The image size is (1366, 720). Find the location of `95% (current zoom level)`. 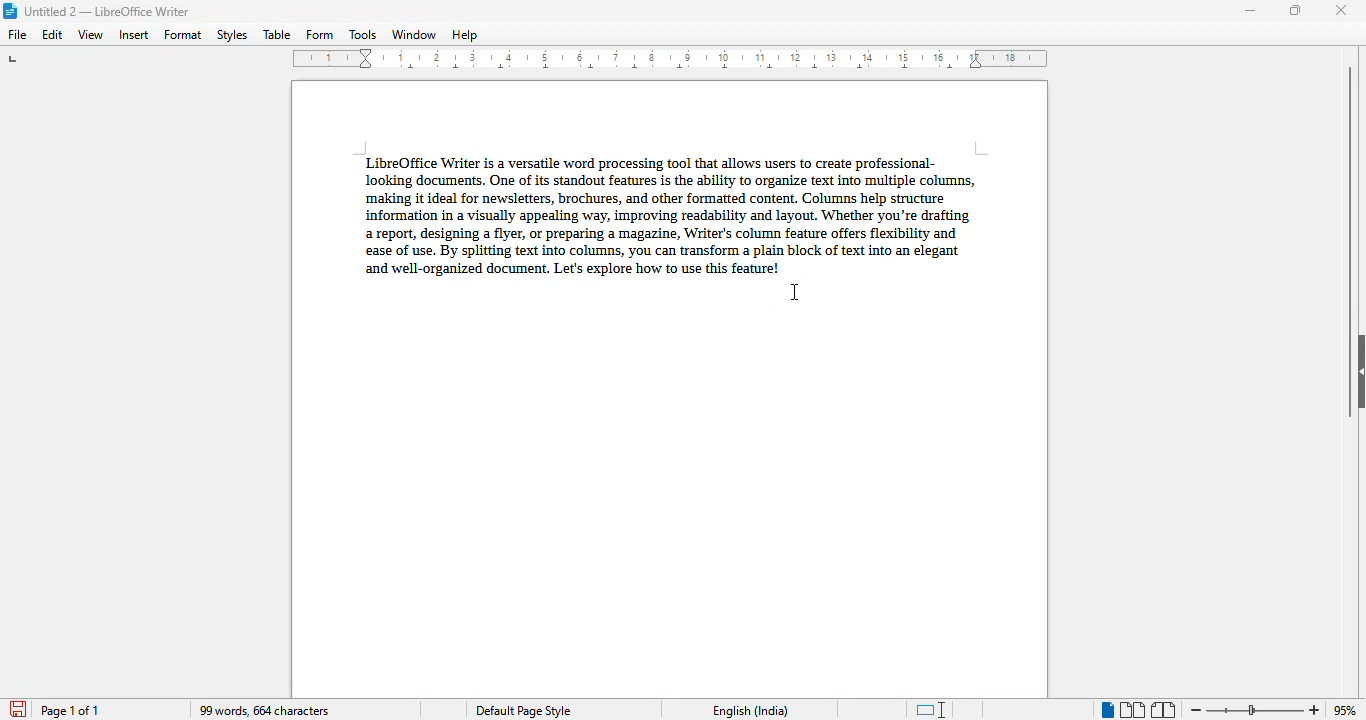

95% (current zoom level) is located at coordinates (1347, 709).